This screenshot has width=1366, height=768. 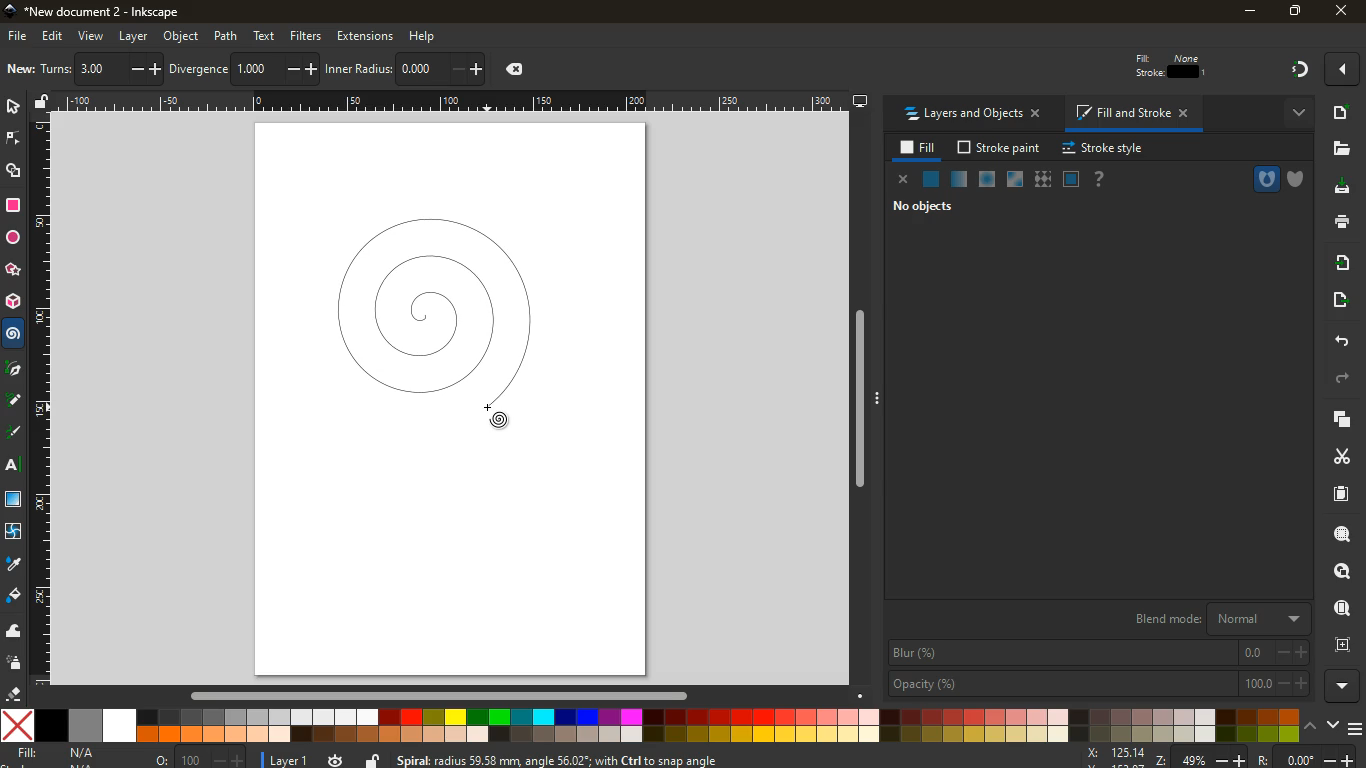 I want to click on view, so click(x=92, y=37).